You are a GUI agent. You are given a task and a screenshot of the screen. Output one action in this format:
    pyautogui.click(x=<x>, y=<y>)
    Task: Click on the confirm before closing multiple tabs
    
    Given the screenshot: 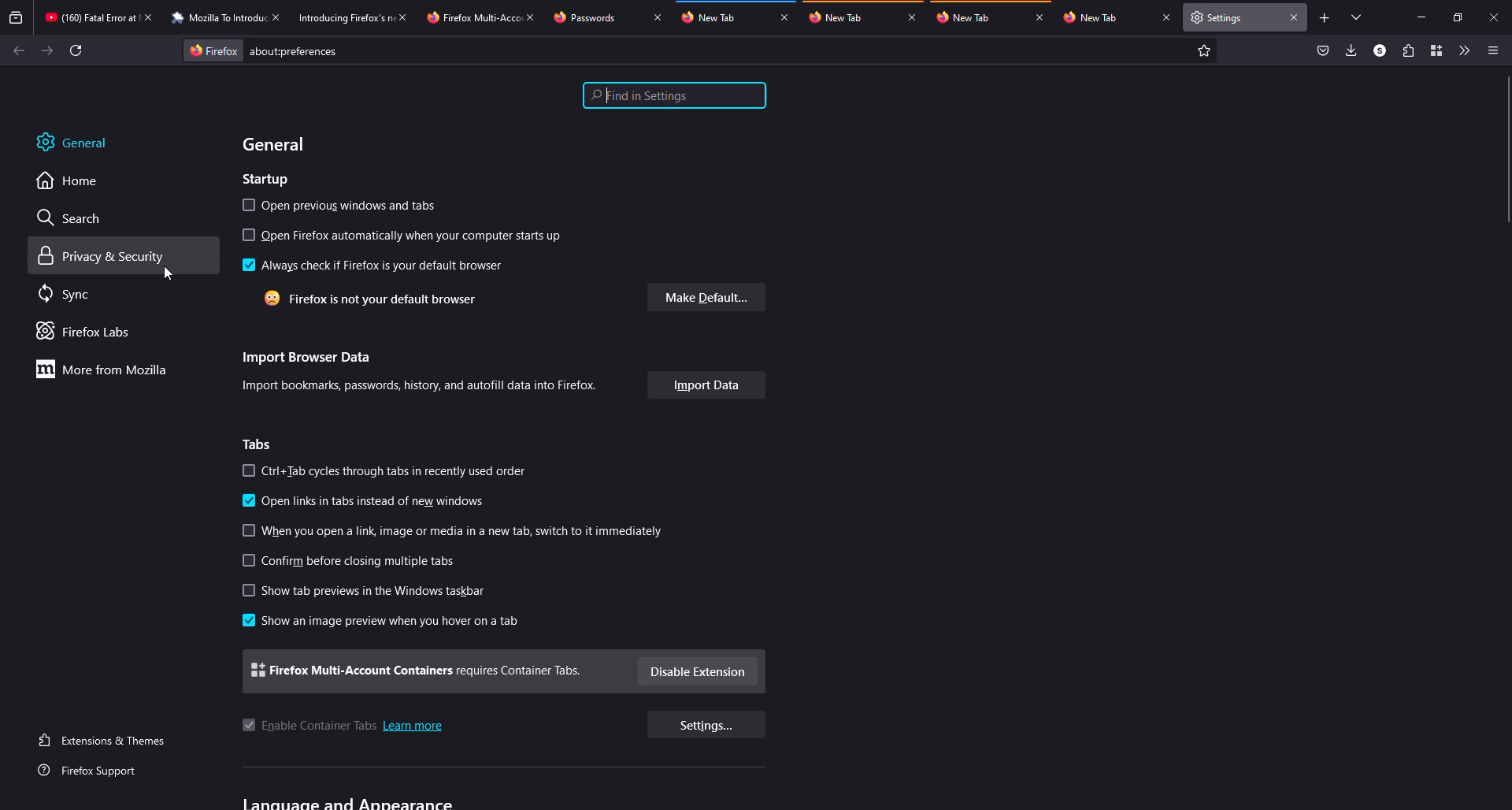 What is the action you would take?
    pyautogui.click(x=365, y=561)
    